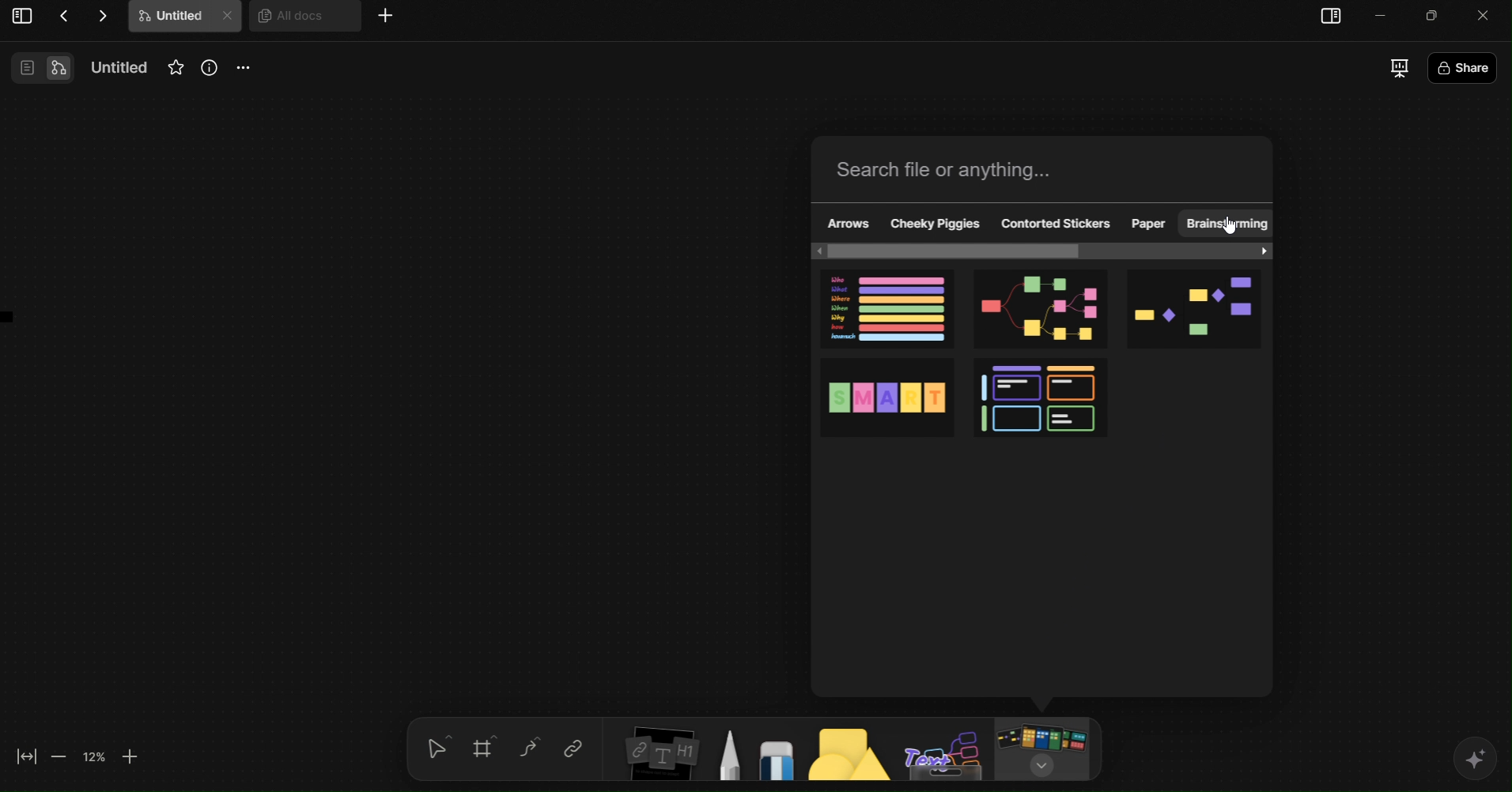 The height and width of the screenshot is (792, 1512). What do you see at coordinates (1203, 312) in the screenshot?
I see `Flowchart template` at bounding box center [1203, 312].